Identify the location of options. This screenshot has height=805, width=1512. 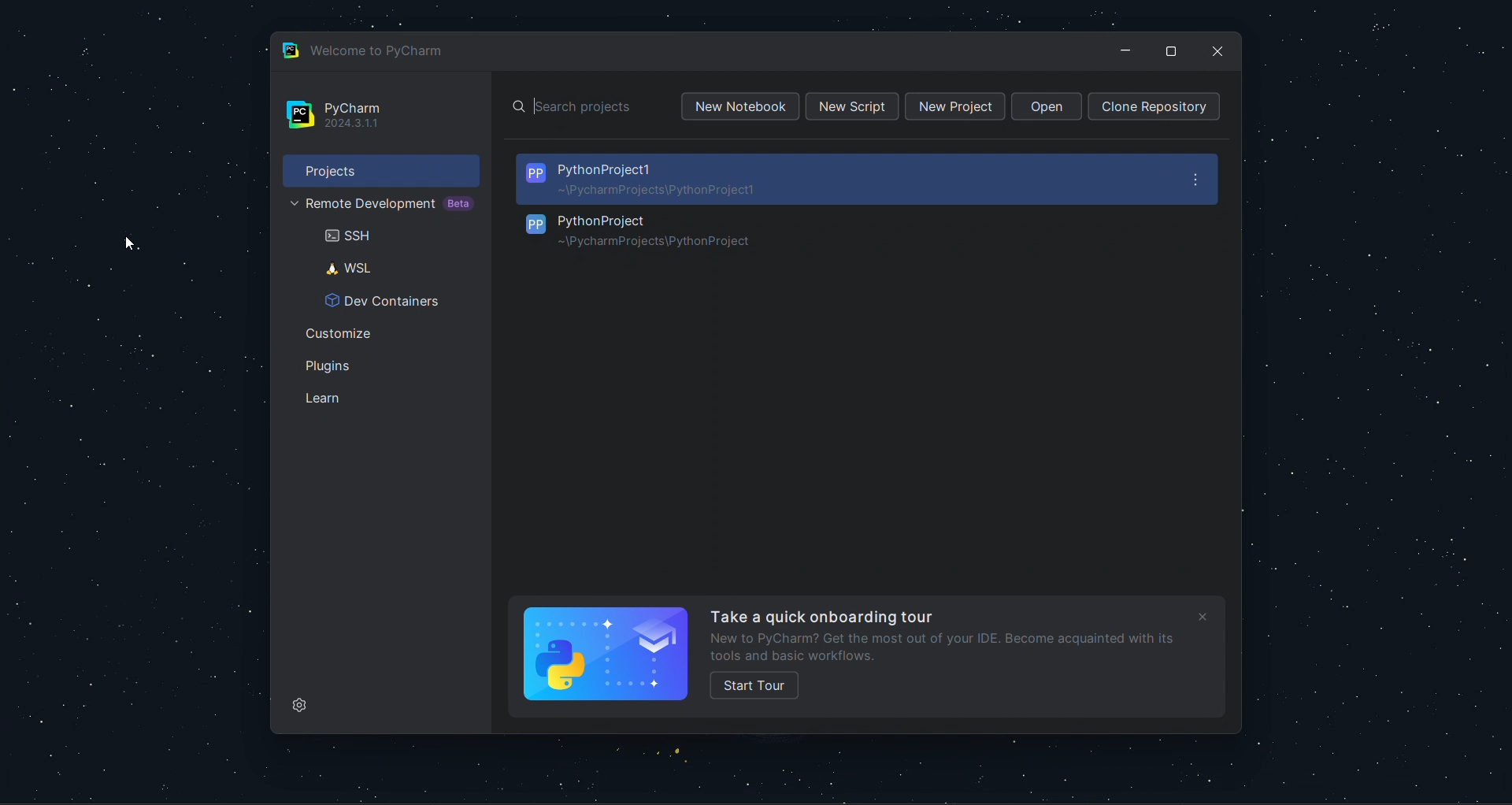
(1195, 184).